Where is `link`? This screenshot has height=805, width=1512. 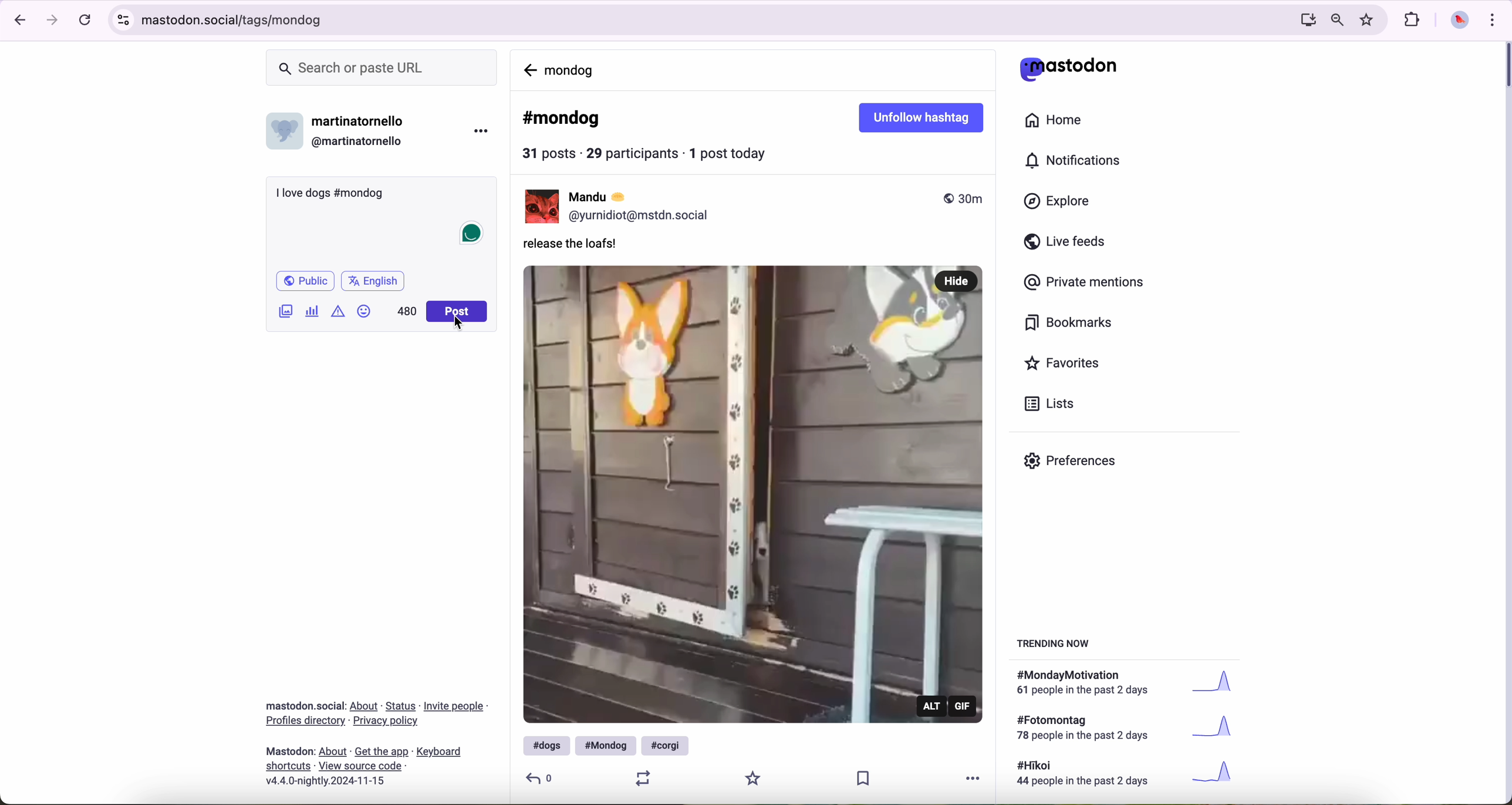
link is located at coordinates (382, 753).